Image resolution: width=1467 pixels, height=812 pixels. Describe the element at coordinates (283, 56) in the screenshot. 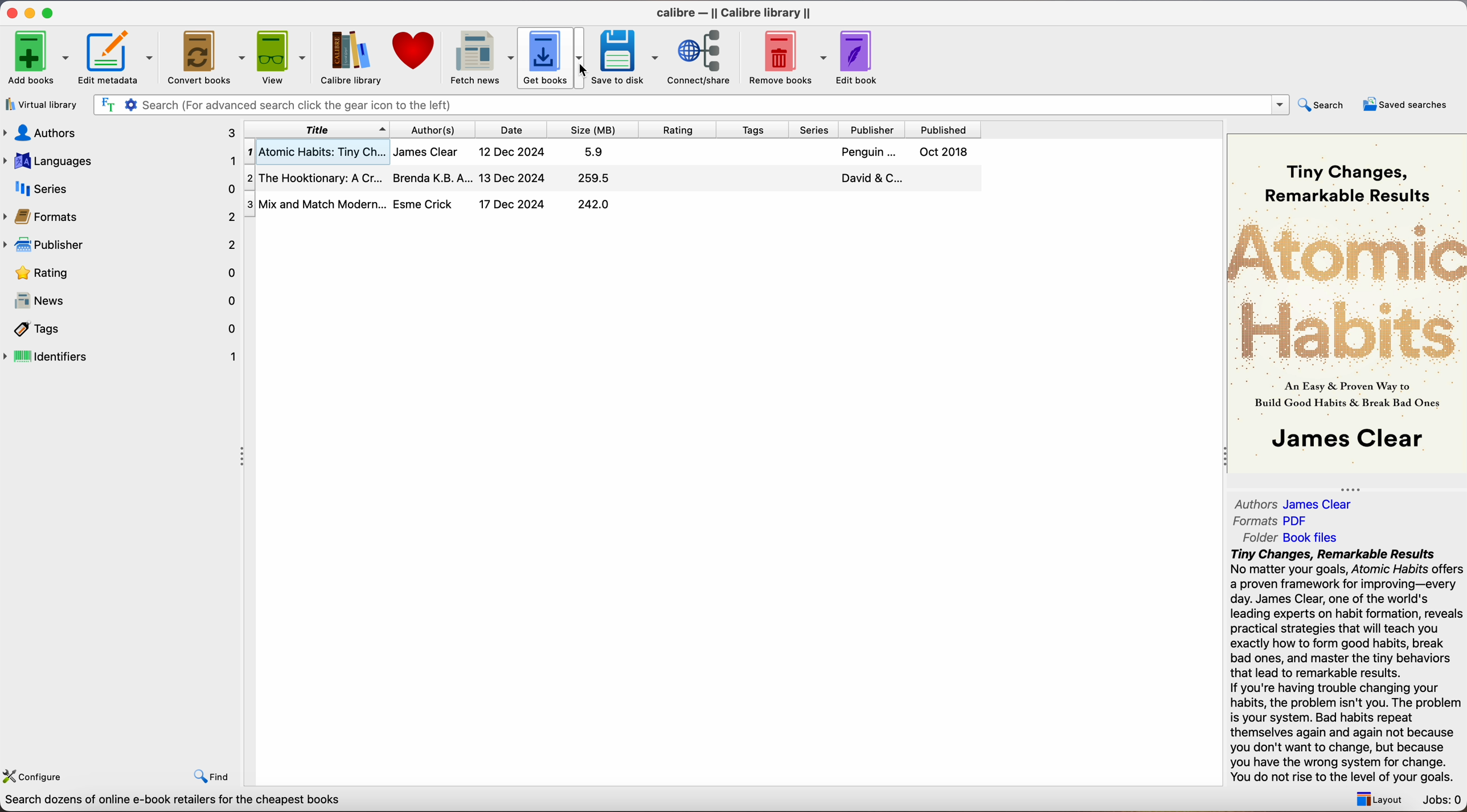

I see `view` at that location.